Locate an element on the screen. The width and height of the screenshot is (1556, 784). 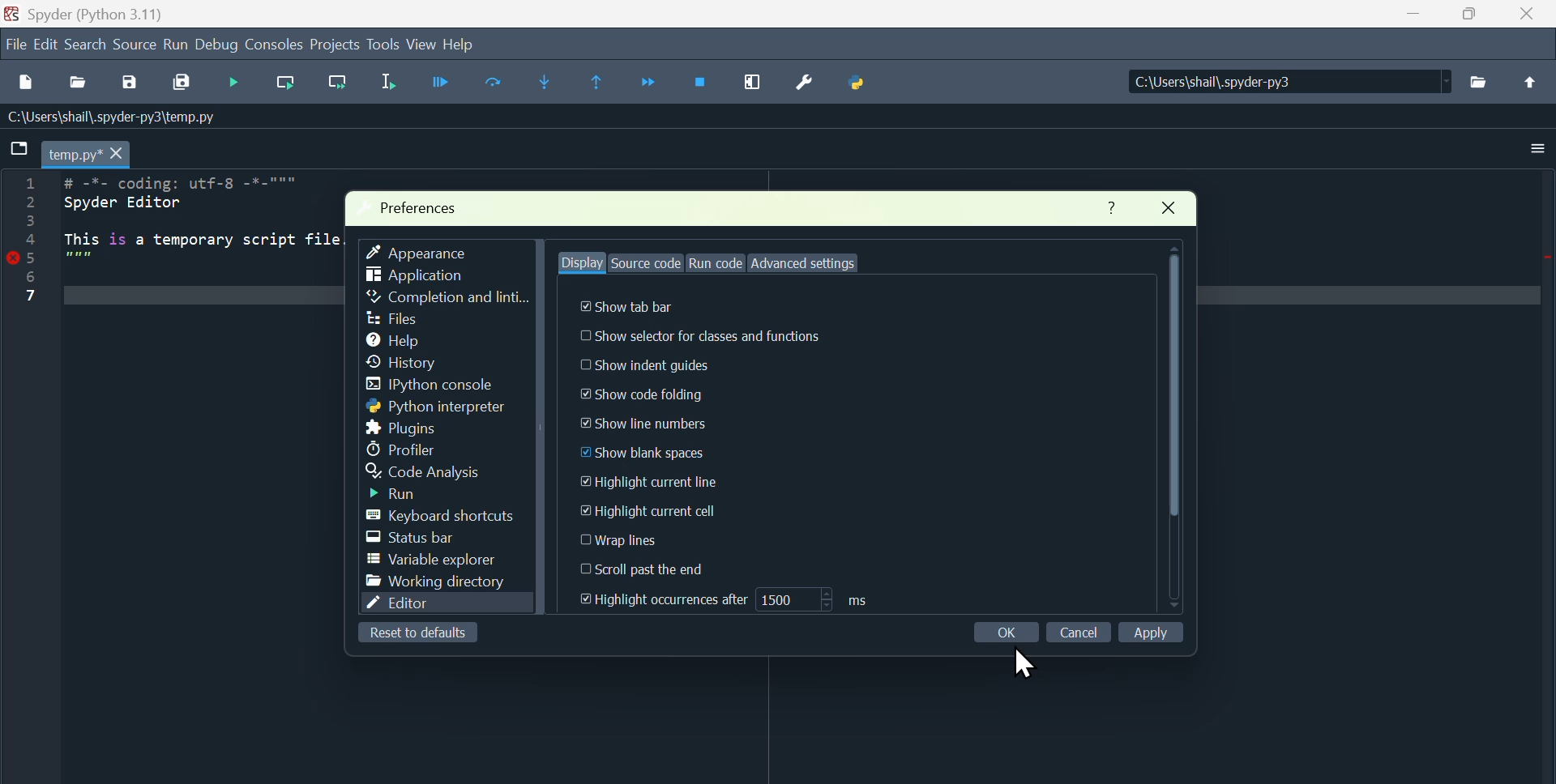
Edit is located at coordinates (48, 45).